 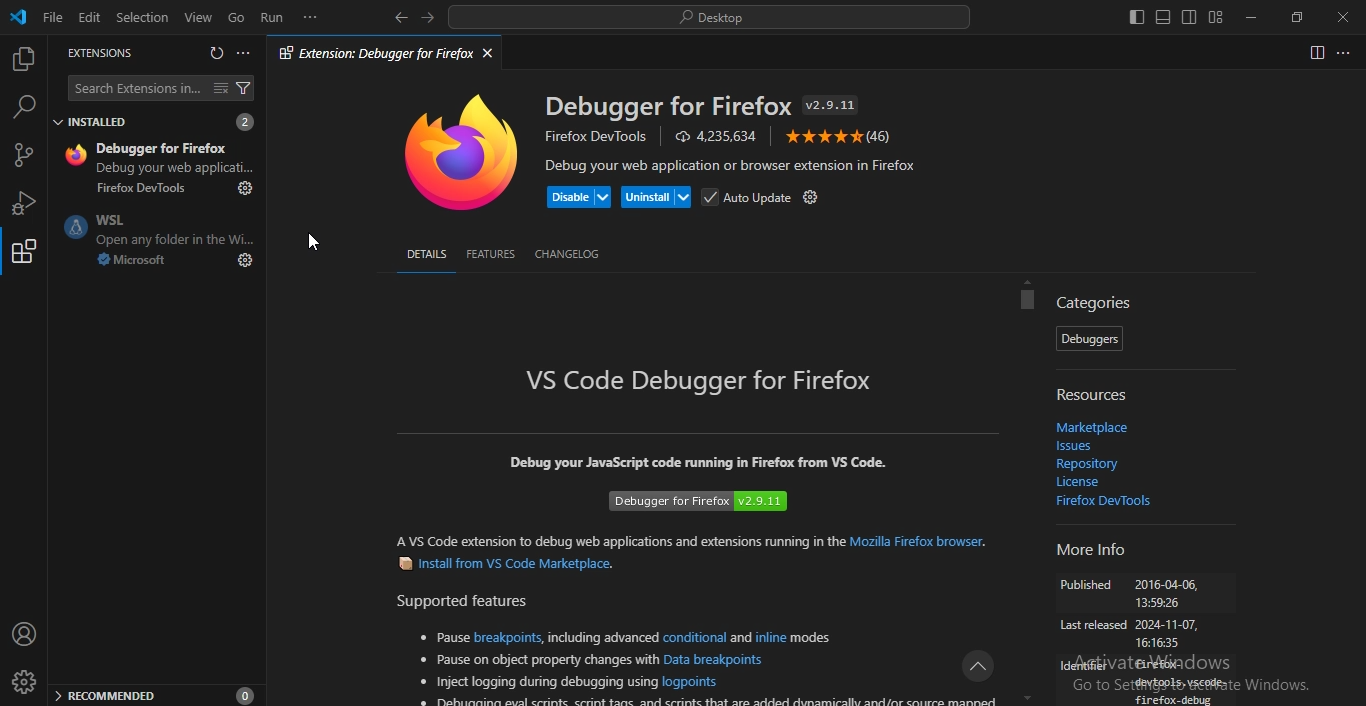 I want to click on settings, so click(x=242, y=260).